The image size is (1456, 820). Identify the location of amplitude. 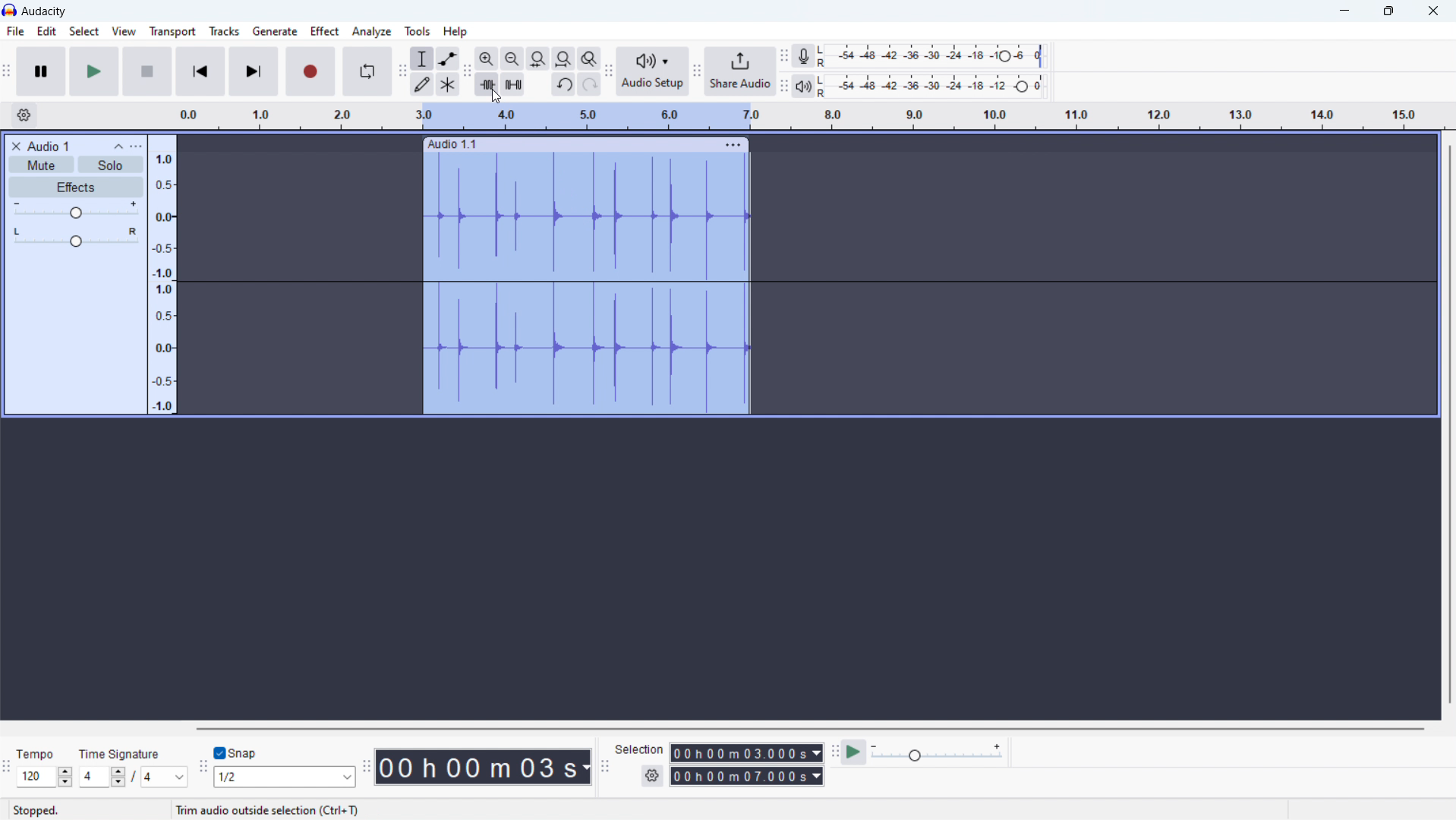
(162, 274).